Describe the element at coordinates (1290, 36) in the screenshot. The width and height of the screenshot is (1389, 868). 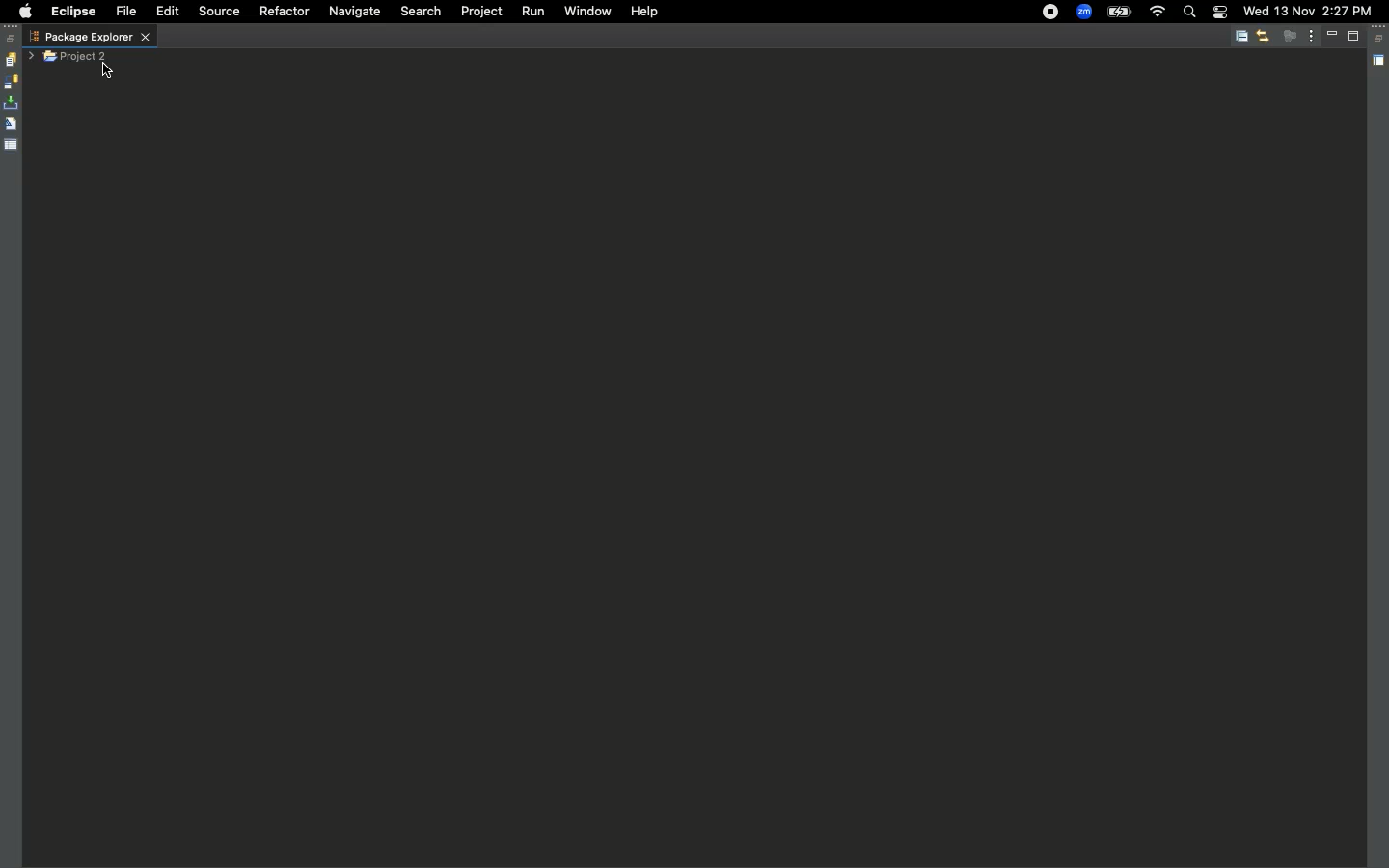
I see `Focus on active task` at that location.